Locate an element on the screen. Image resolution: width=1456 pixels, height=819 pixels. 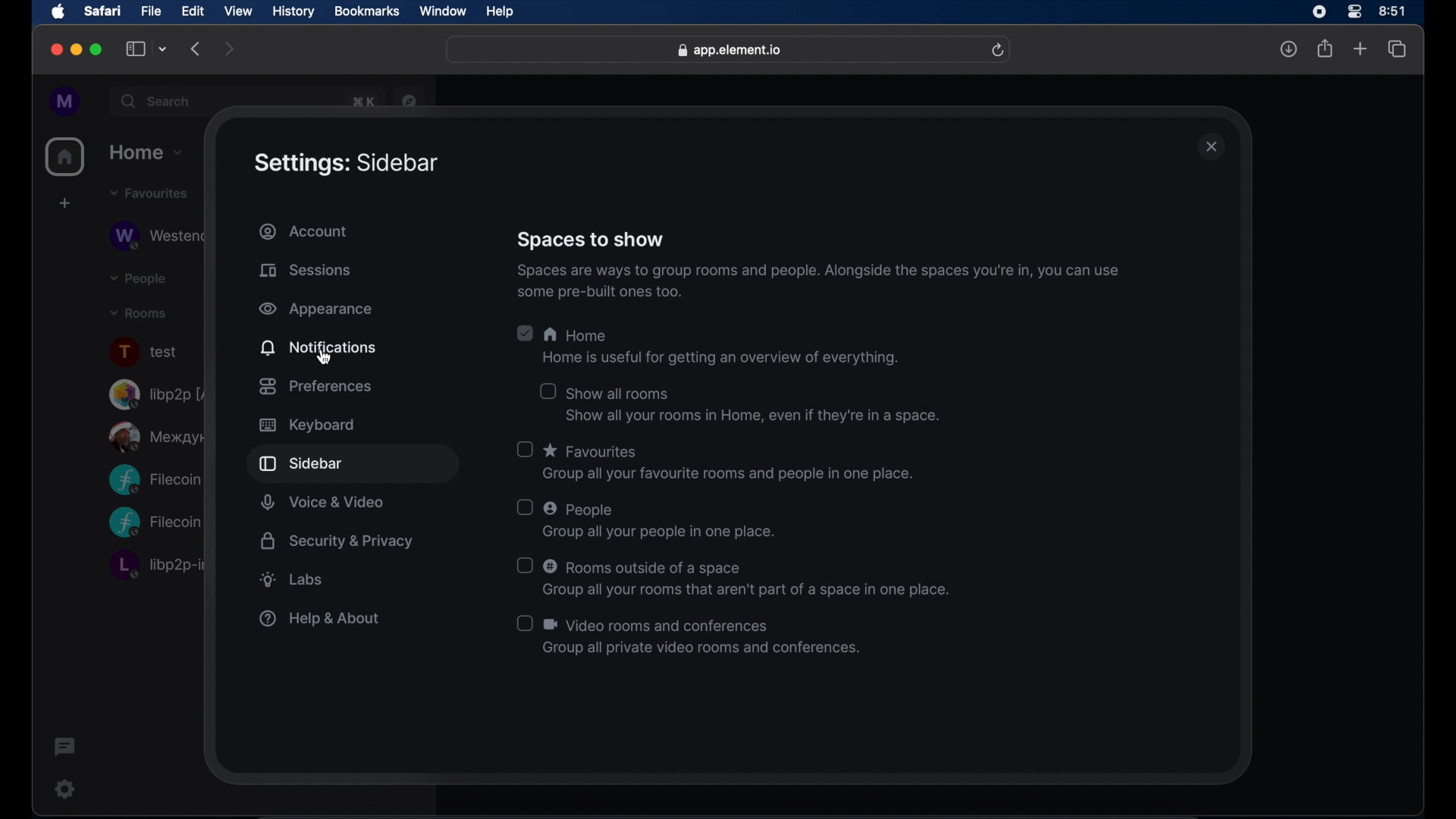
safari is located at coordinates (104, 11).